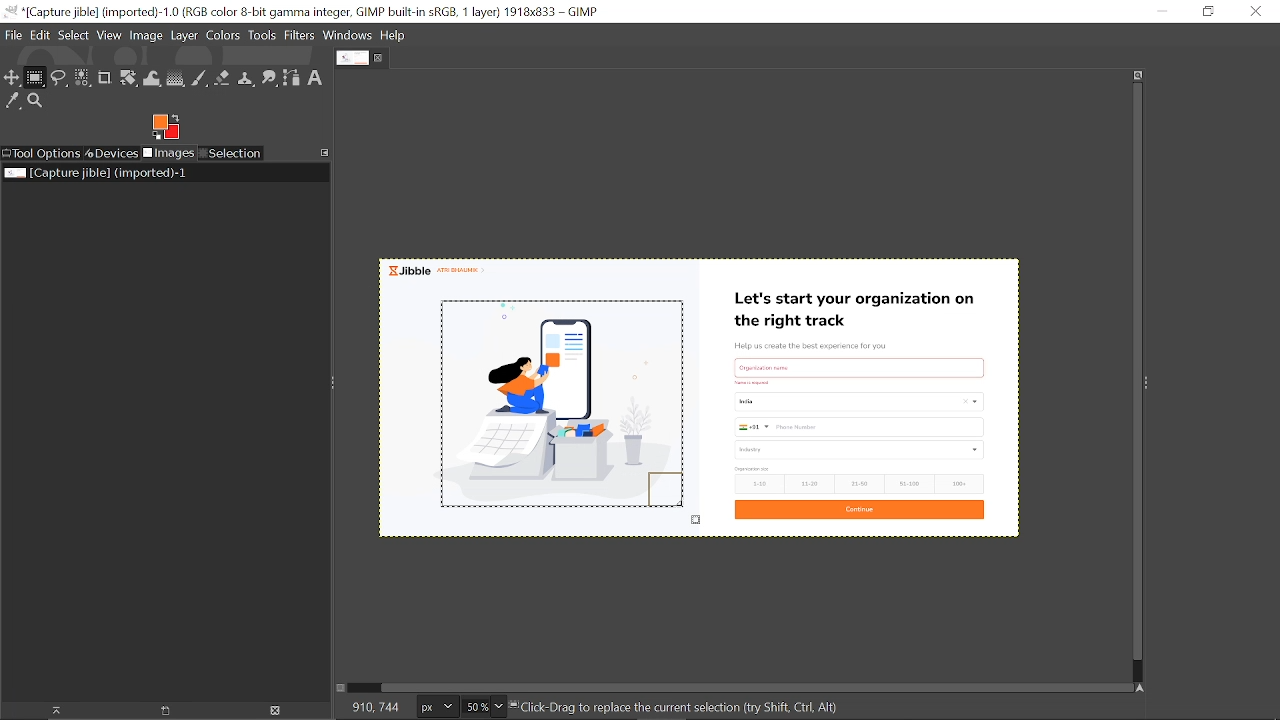 Image resolution: width=1280 pixels, height=720 pixels. I want to click on Current zoom, so click(474, 708).